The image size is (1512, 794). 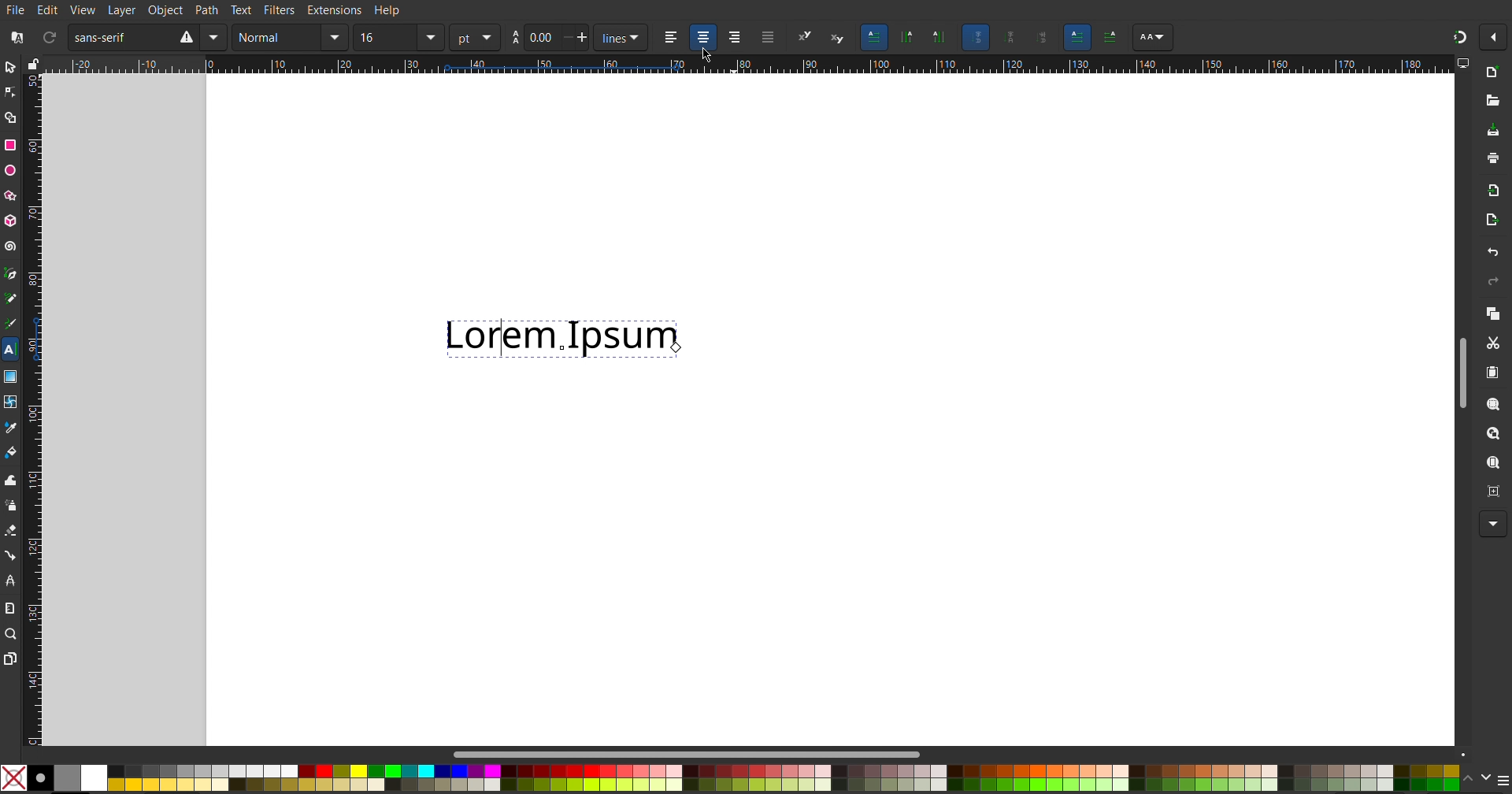 I want to click on Zoom Tool, so click(x=11, y=634).